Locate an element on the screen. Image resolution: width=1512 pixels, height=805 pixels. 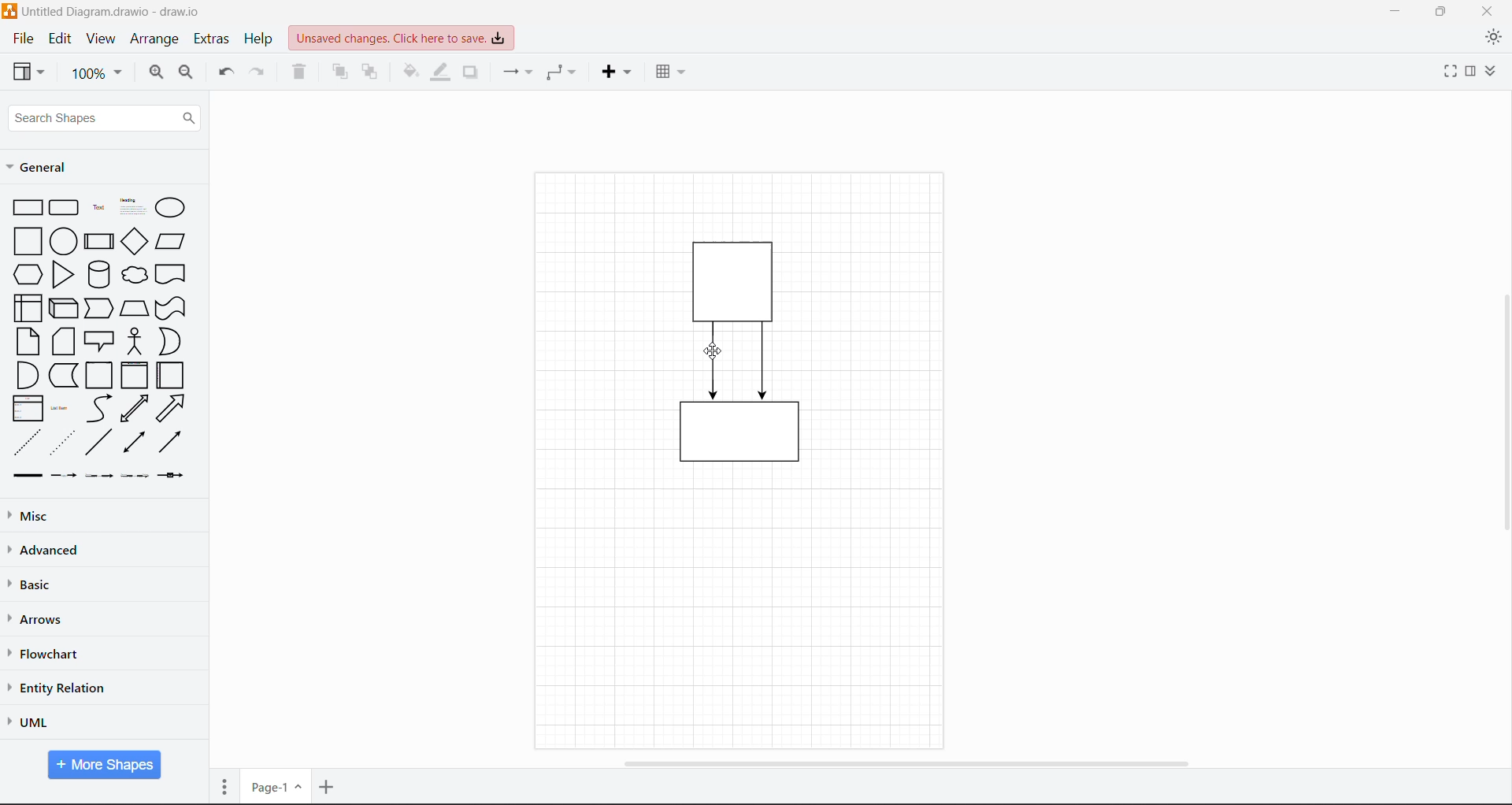
Edit is located at coordinates (62, 39).